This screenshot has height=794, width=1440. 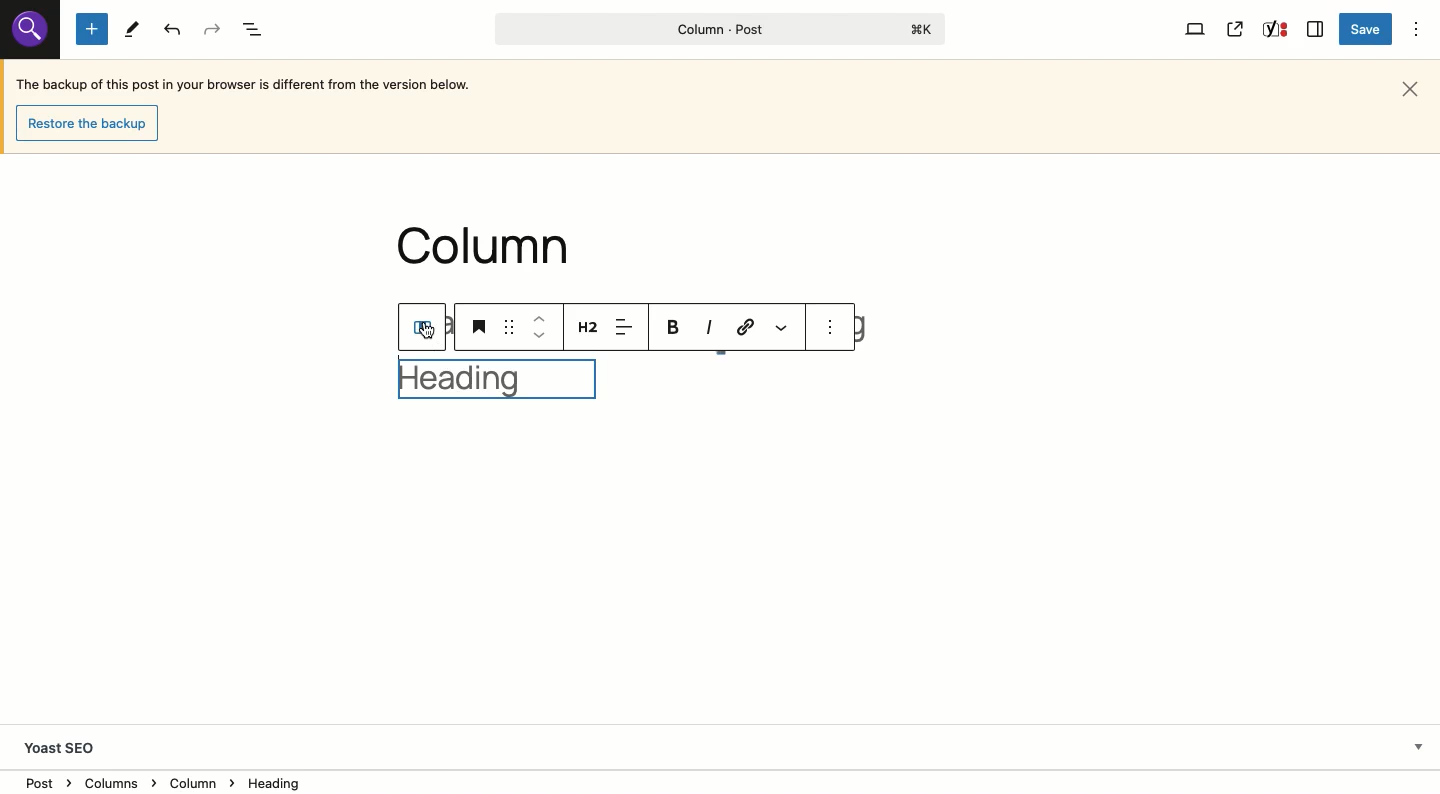 I want to click on Restore the backup, so click(x=92, y=124).